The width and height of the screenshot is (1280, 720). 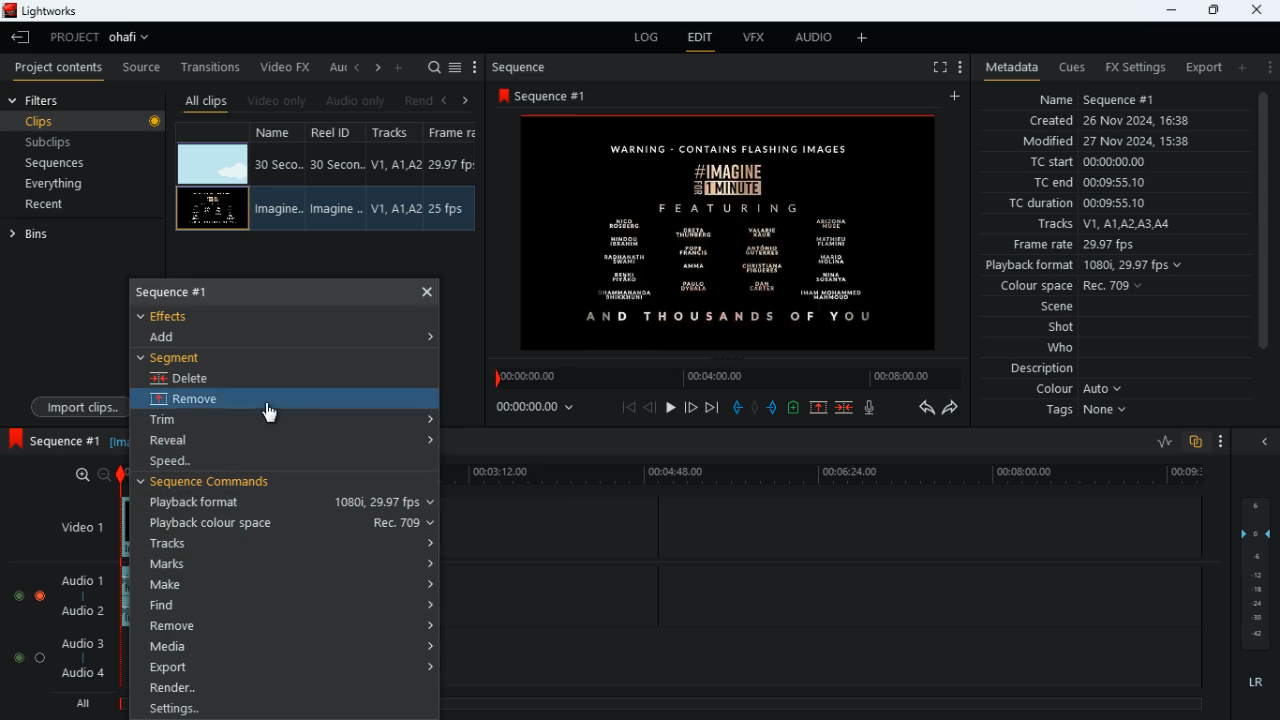 What do you see at coordinates (210, 66) in the screenshot?
I see `transitions` at bounding box center [210, 66].